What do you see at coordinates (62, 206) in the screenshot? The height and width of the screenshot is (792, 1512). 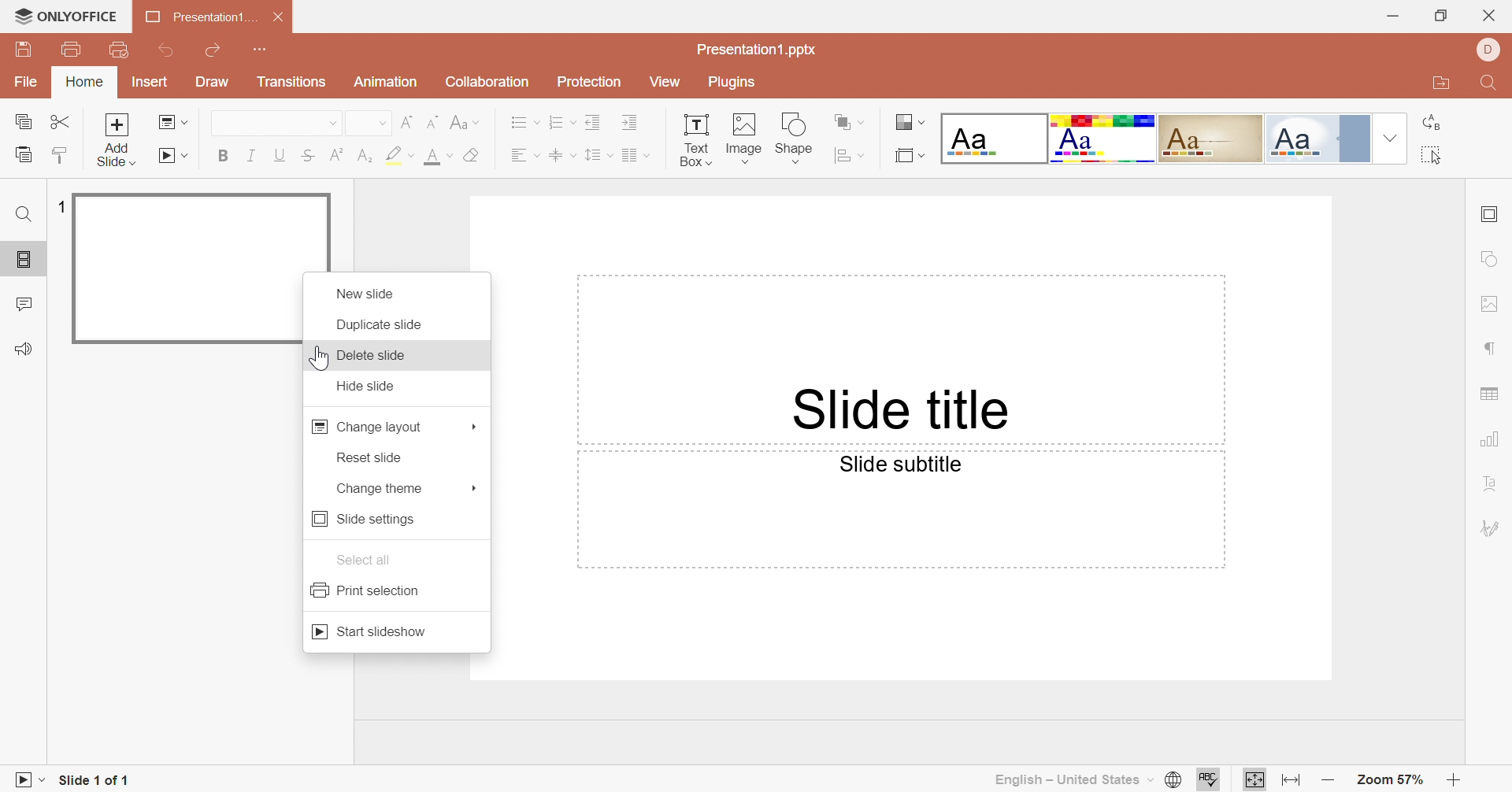 I see `1` at bounding box center [62, 206].